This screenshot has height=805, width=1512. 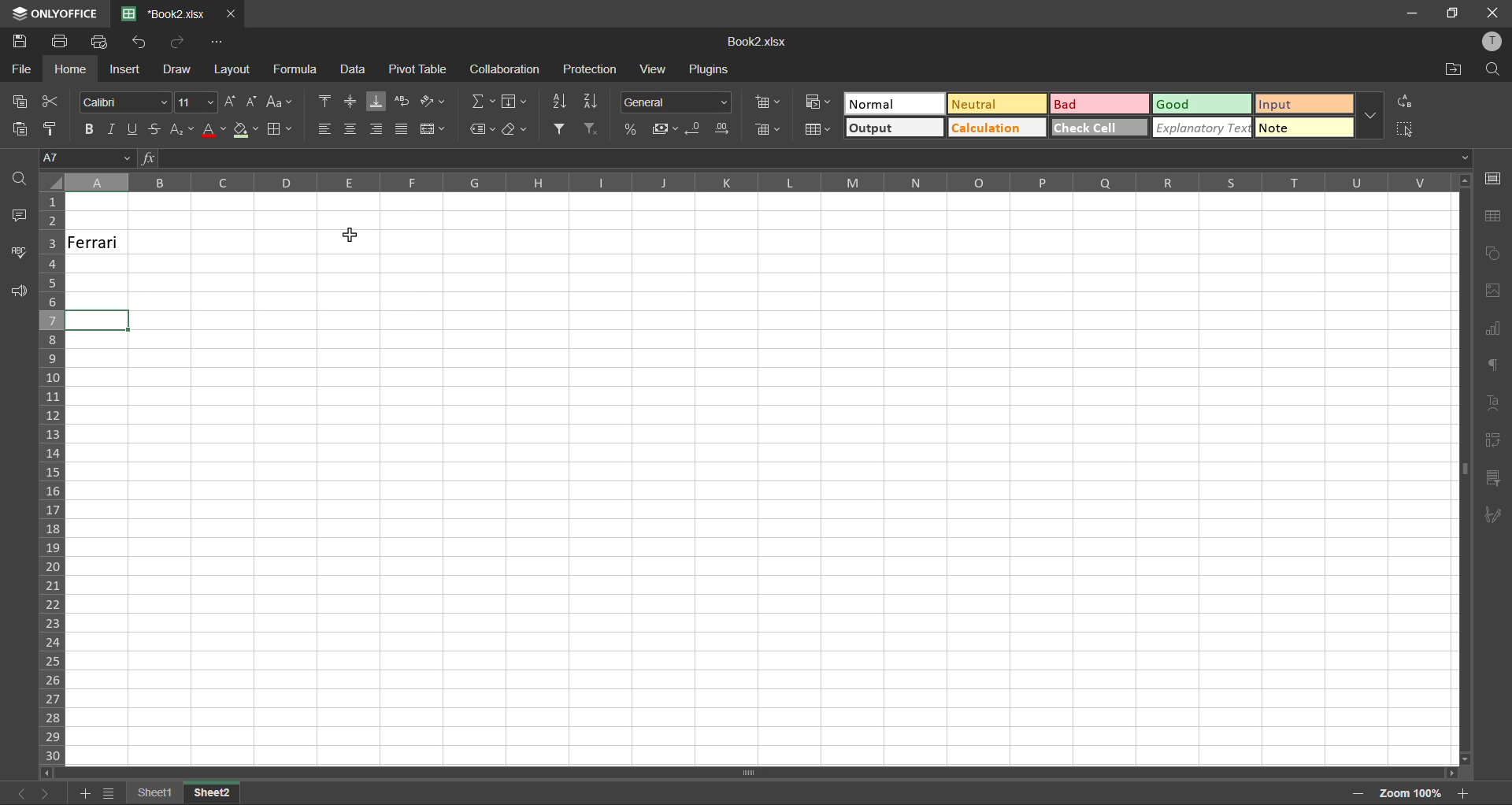 What do you see at coordinates (1205, 128) in the screenshot?
I see `explanatory text` at bounding box center [1205, 128].